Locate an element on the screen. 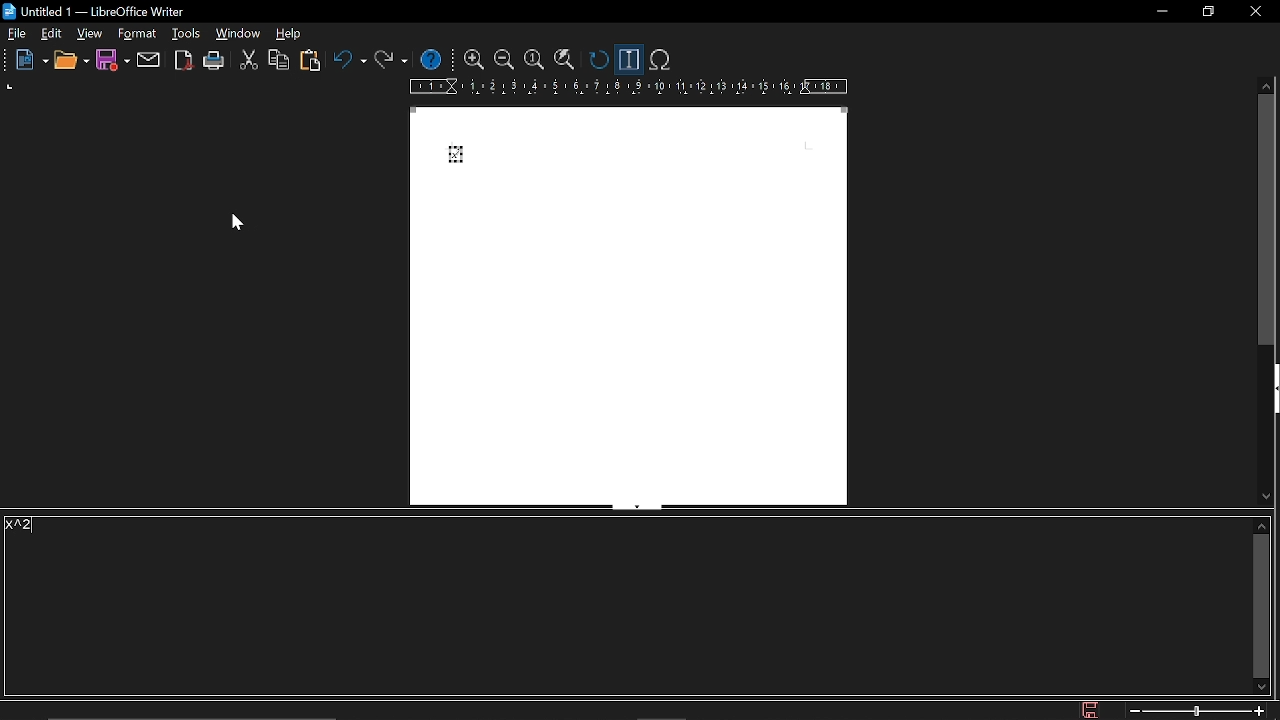 The height and width of the screenshot is (720, 1280). open is located at coordinates (73, 61).